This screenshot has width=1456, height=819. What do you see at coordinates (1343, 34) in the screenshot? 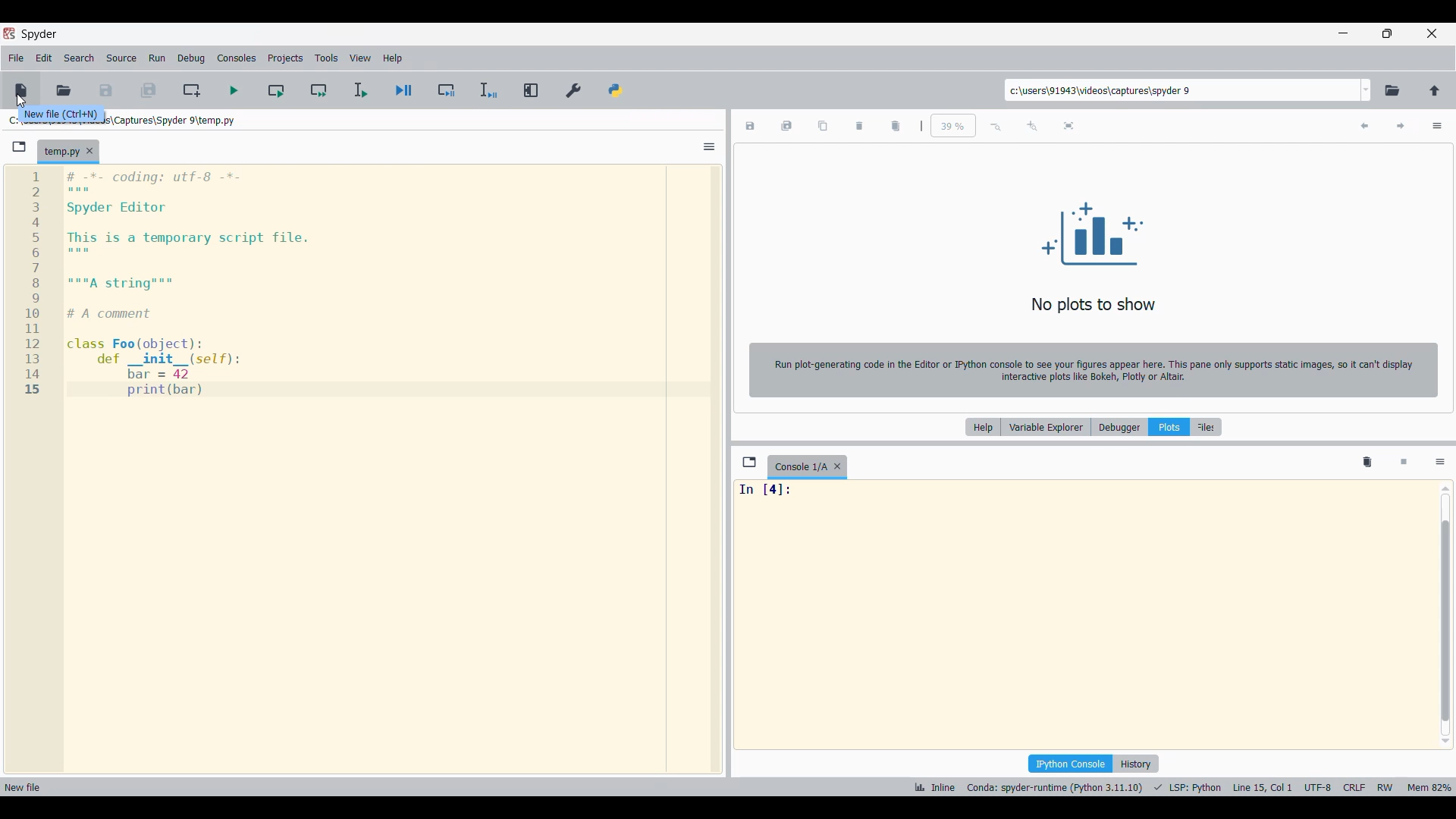
I see `Minimize` at bounding box center [1343, 34].